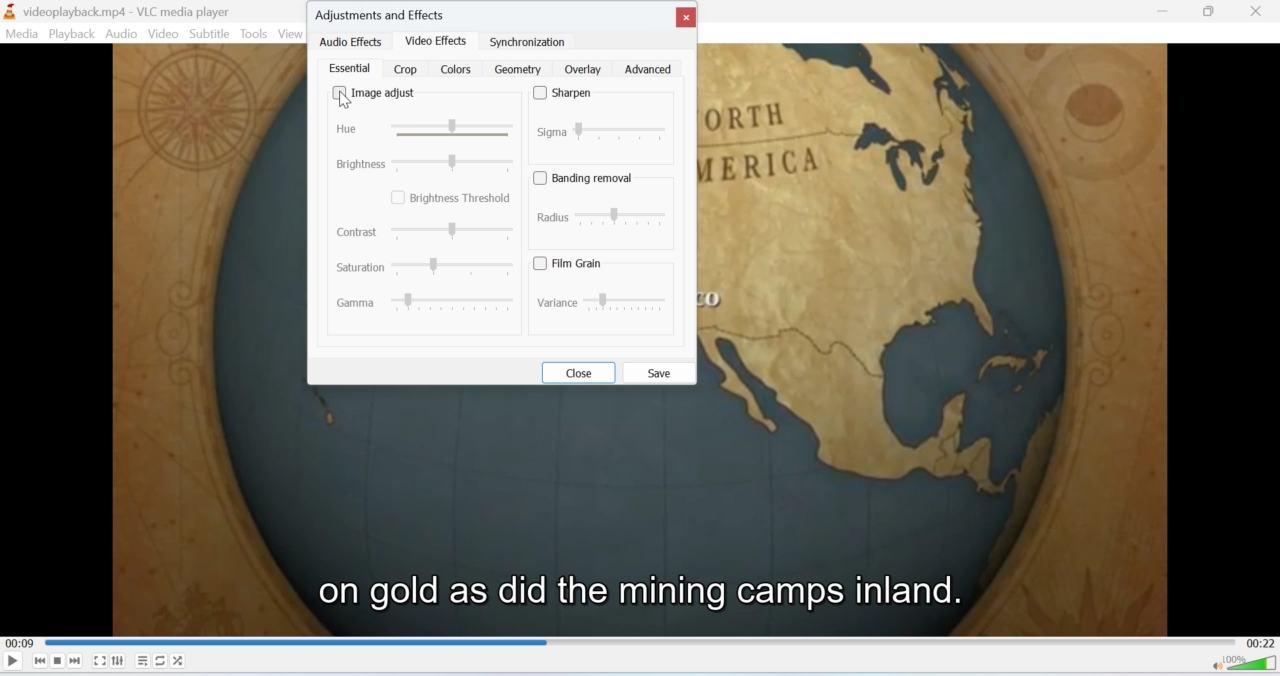  I want to click on geometry, so click(518, 68).